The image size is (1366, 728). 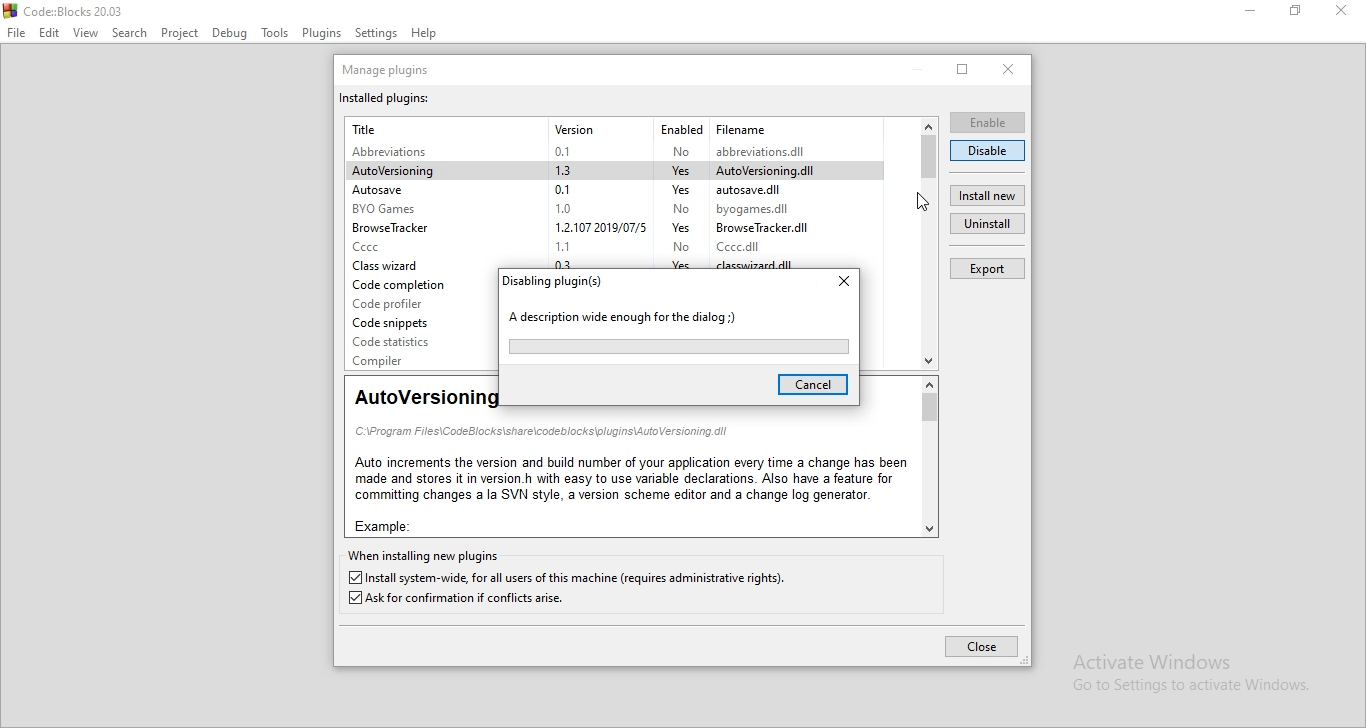 I want to click on Enabled, so click(x=679, y=127).